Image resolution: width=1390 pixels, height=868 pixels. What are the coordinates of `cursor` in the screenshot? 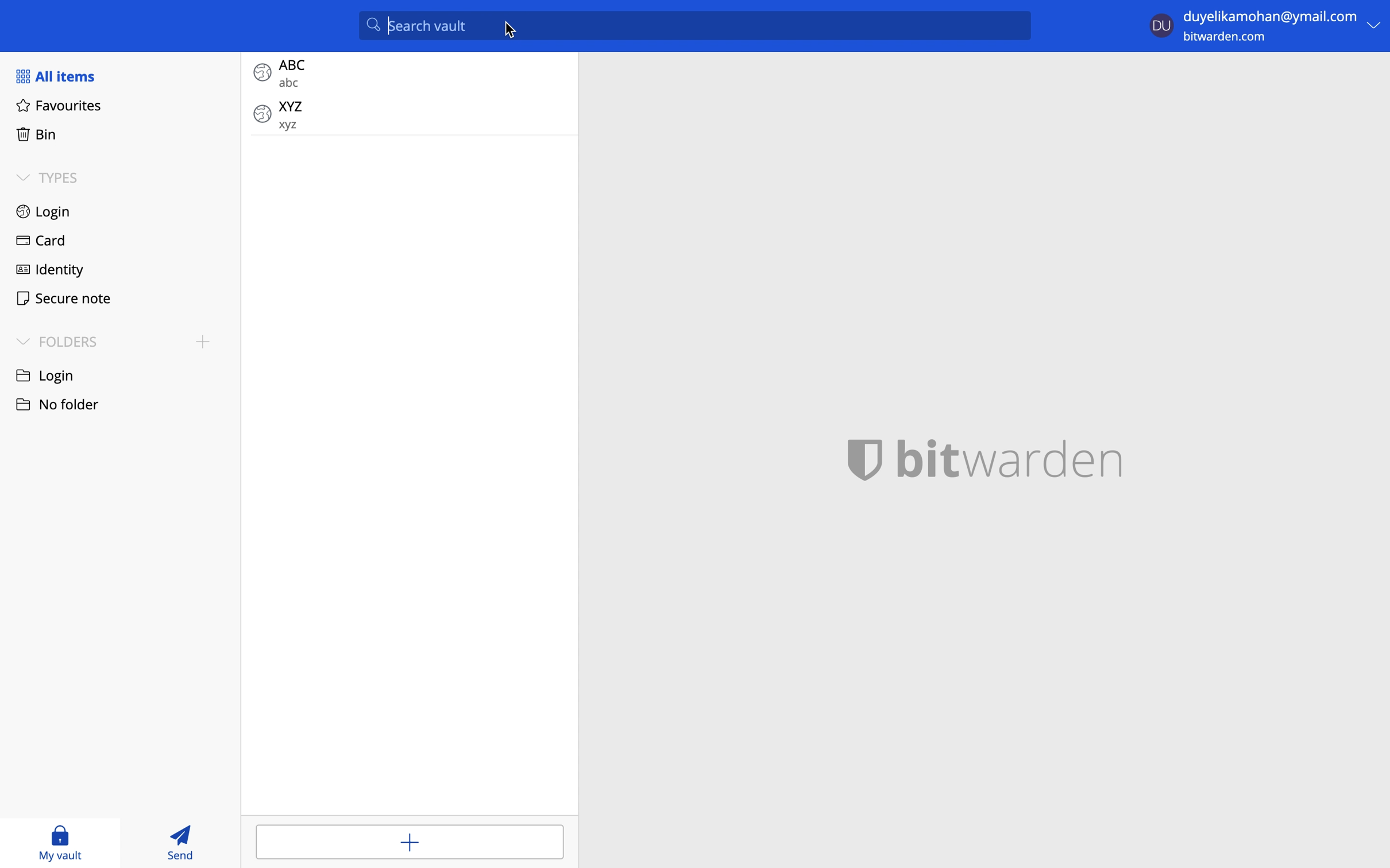 It's located at (511, 30).